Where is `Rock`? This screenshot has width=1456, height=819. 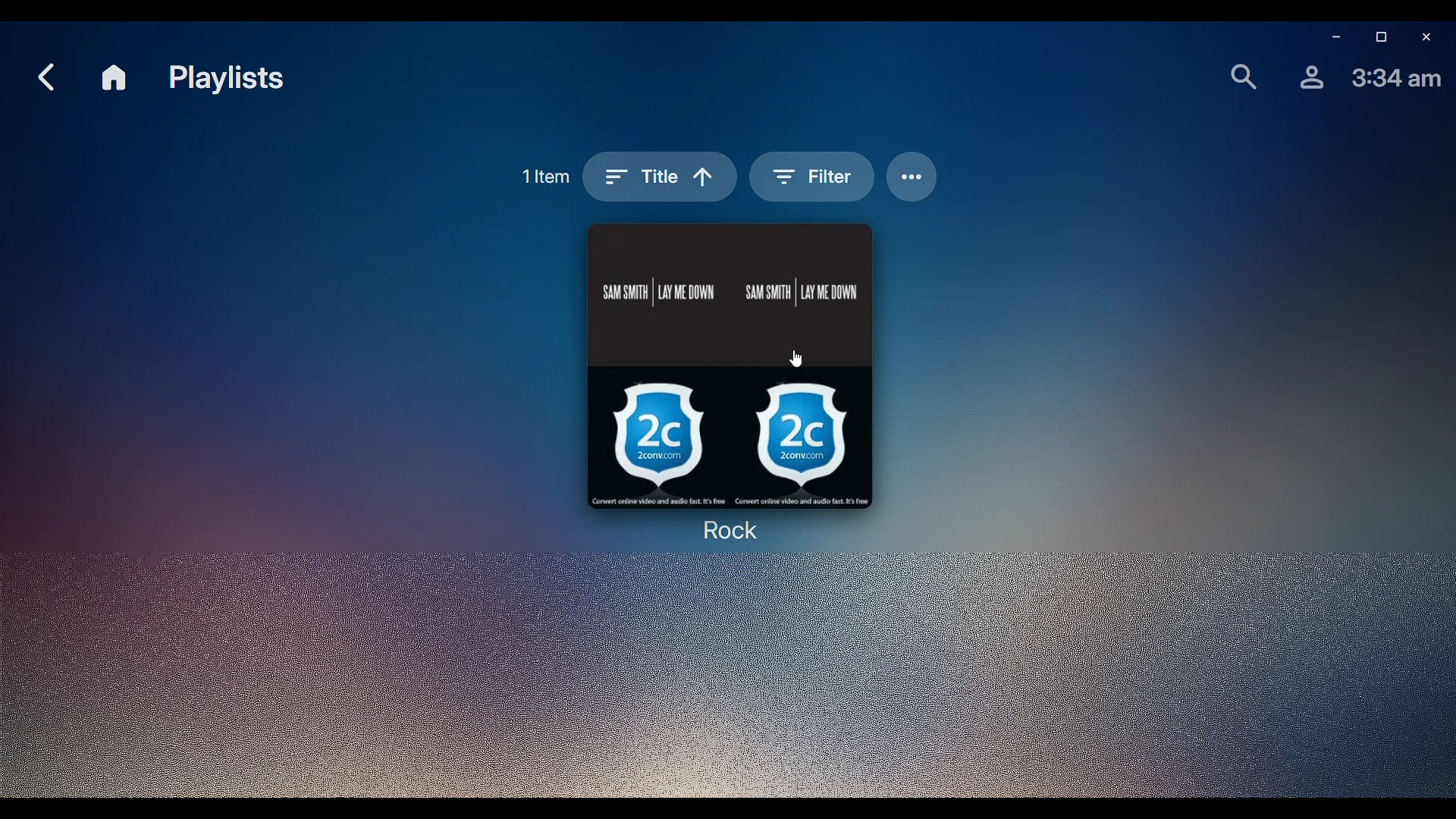 Rock is located at coordinates (731, 378).